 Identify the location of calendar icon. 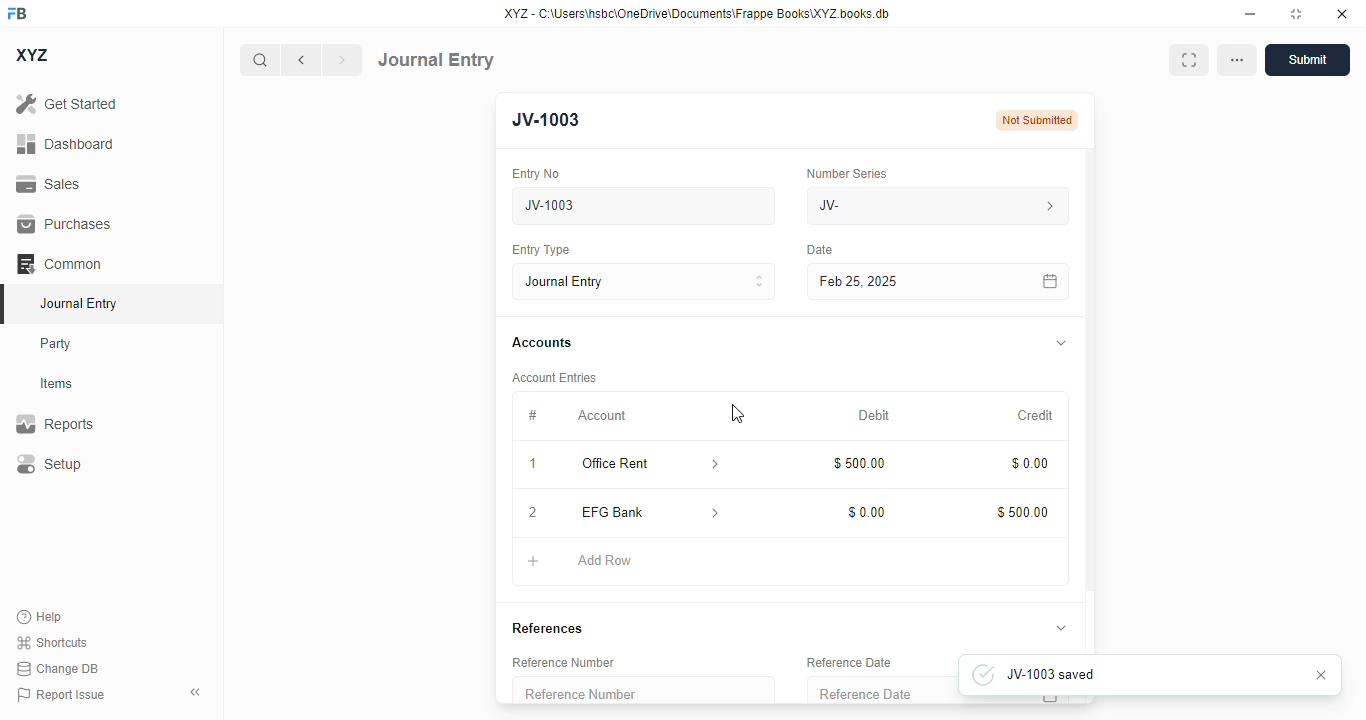
(1049, 699).